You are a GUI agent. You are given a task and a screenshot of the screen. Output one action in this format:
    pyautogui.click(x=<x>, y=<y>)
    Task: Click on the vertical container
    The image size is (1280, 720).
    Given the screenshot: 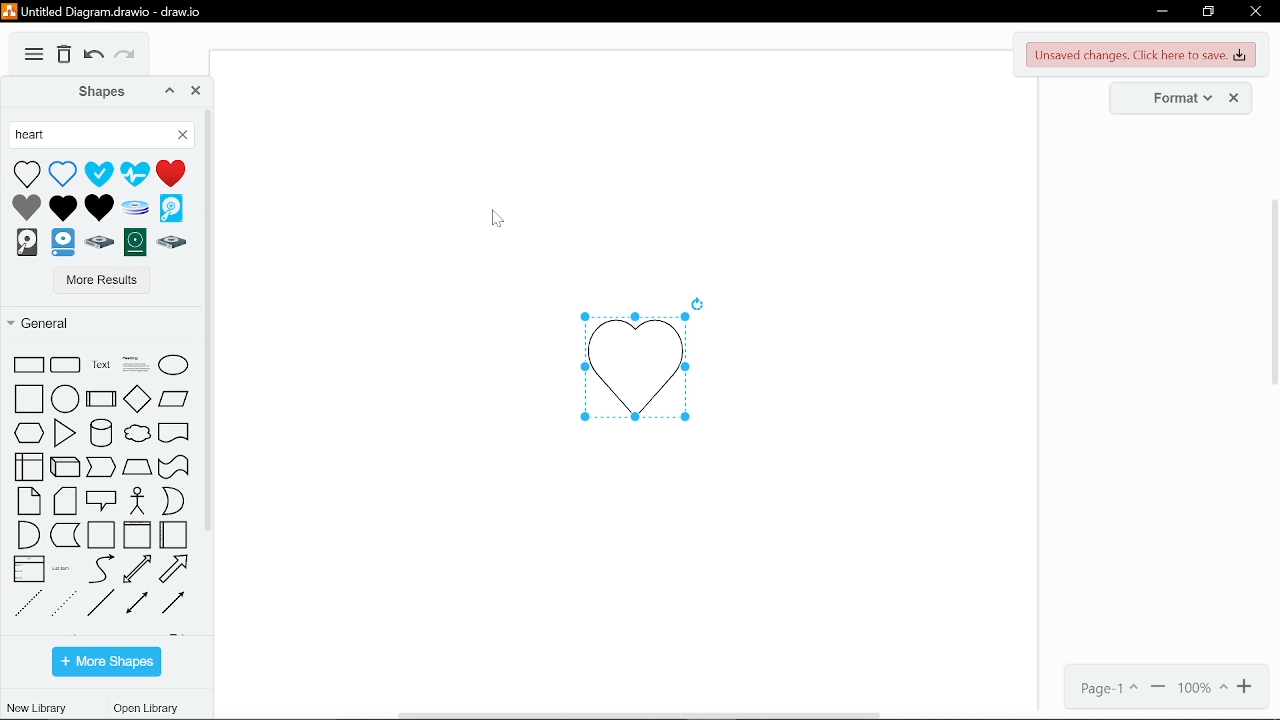 What is the action you would take?
    pyautogui.click(x=139, y=536)
    